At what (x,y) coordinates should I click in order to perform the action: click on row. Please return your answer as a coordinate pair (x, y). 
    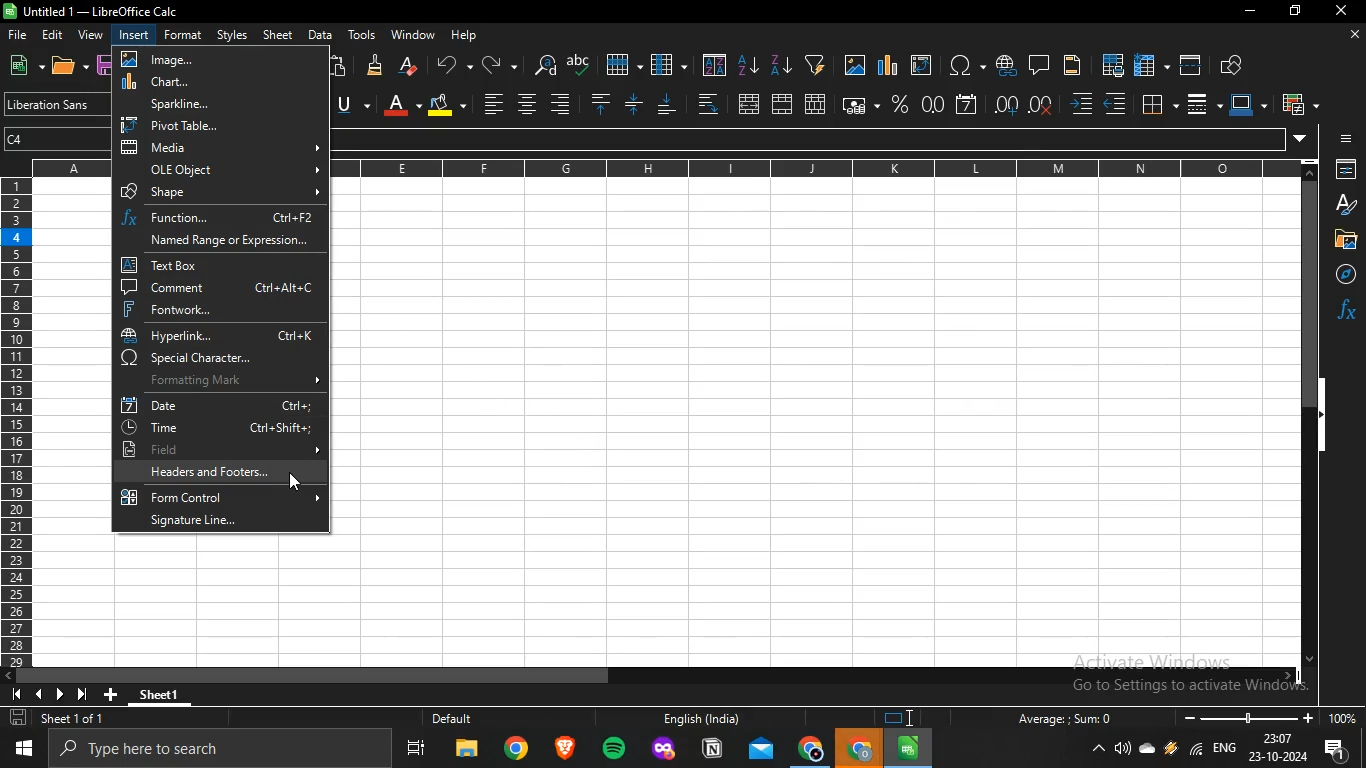
    Looking at the image, I should click on (15, 426).